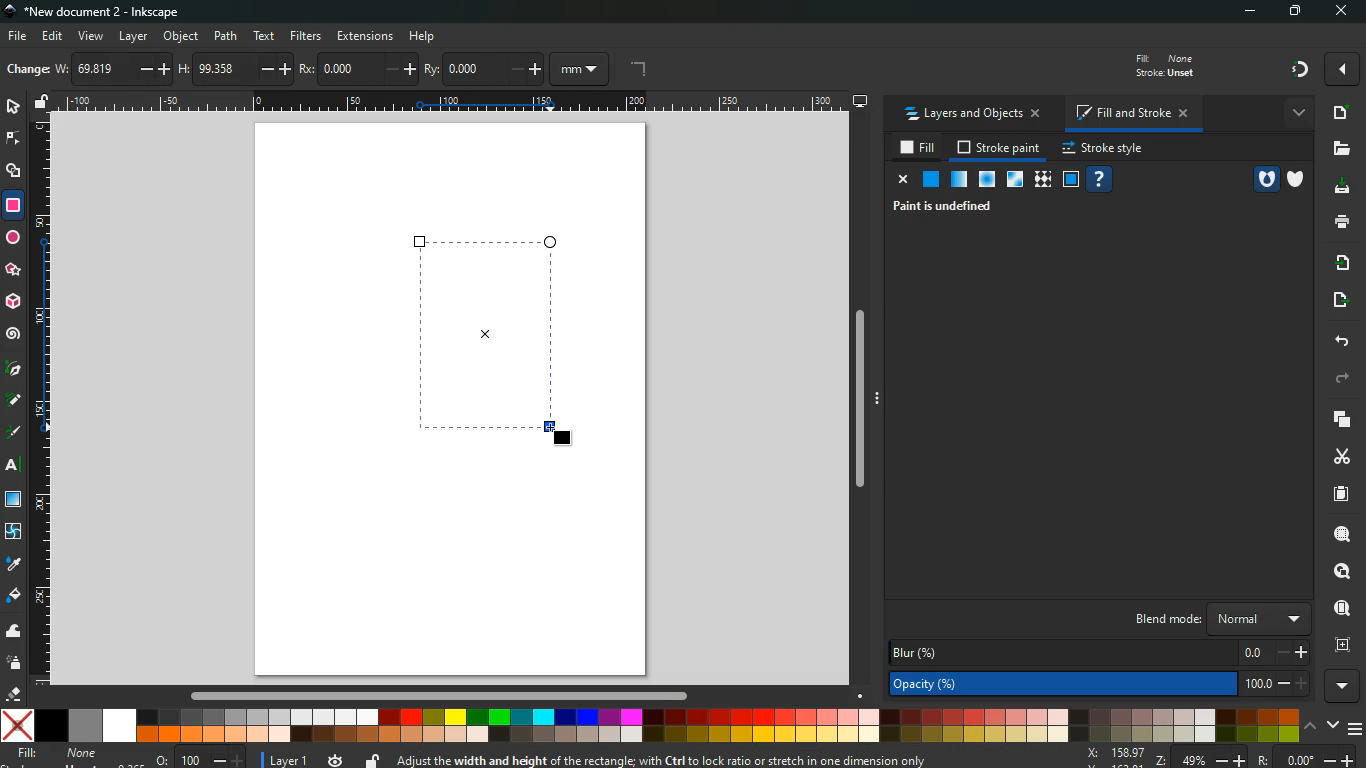 The height and width of the screenshot is (768, 1366). What do you see at coordinates (347, 70) in the screenshot?
I see `rx` at bounding box center [347, 70].